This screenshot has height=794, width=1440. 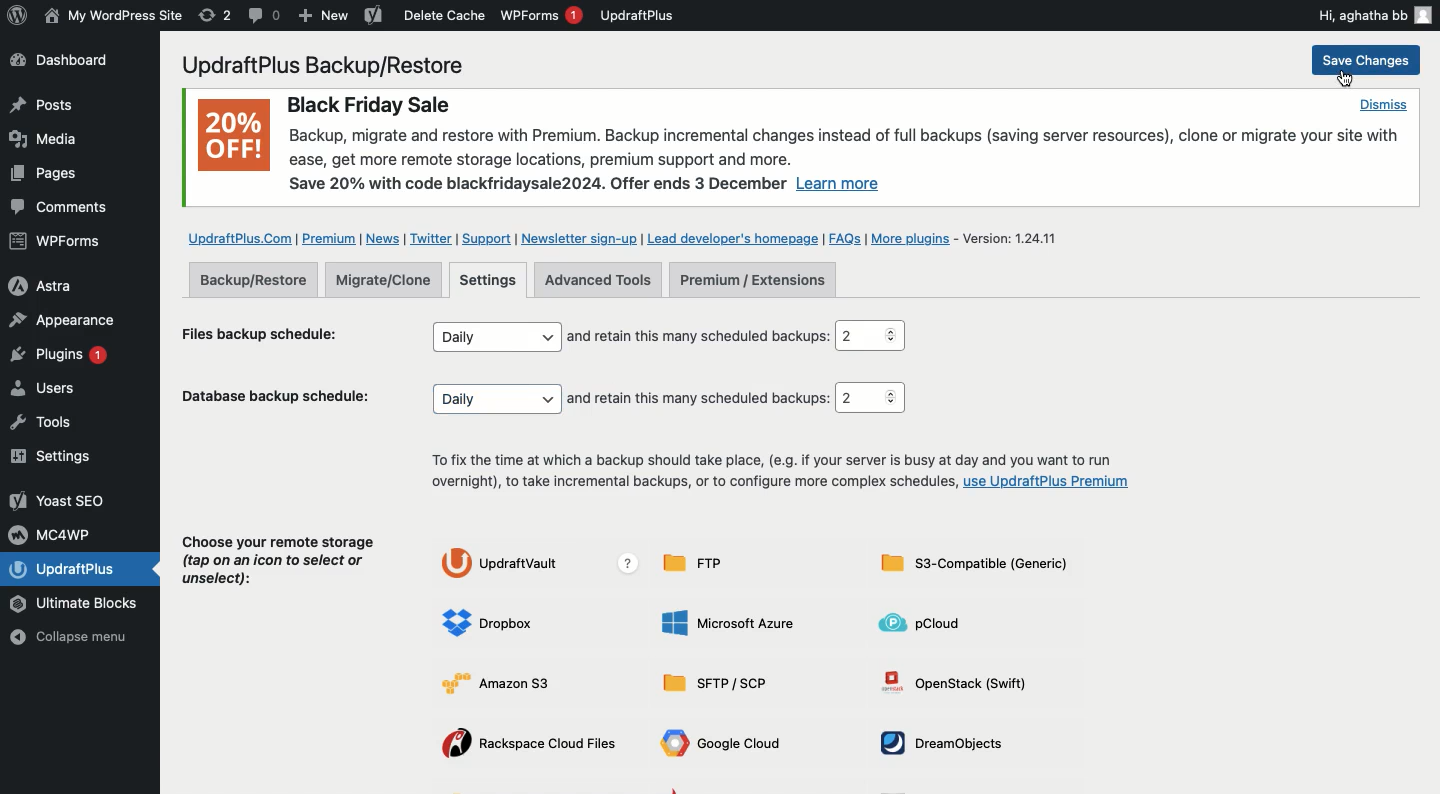 I want to click on Save changes click, so click(x=1364, y=59).